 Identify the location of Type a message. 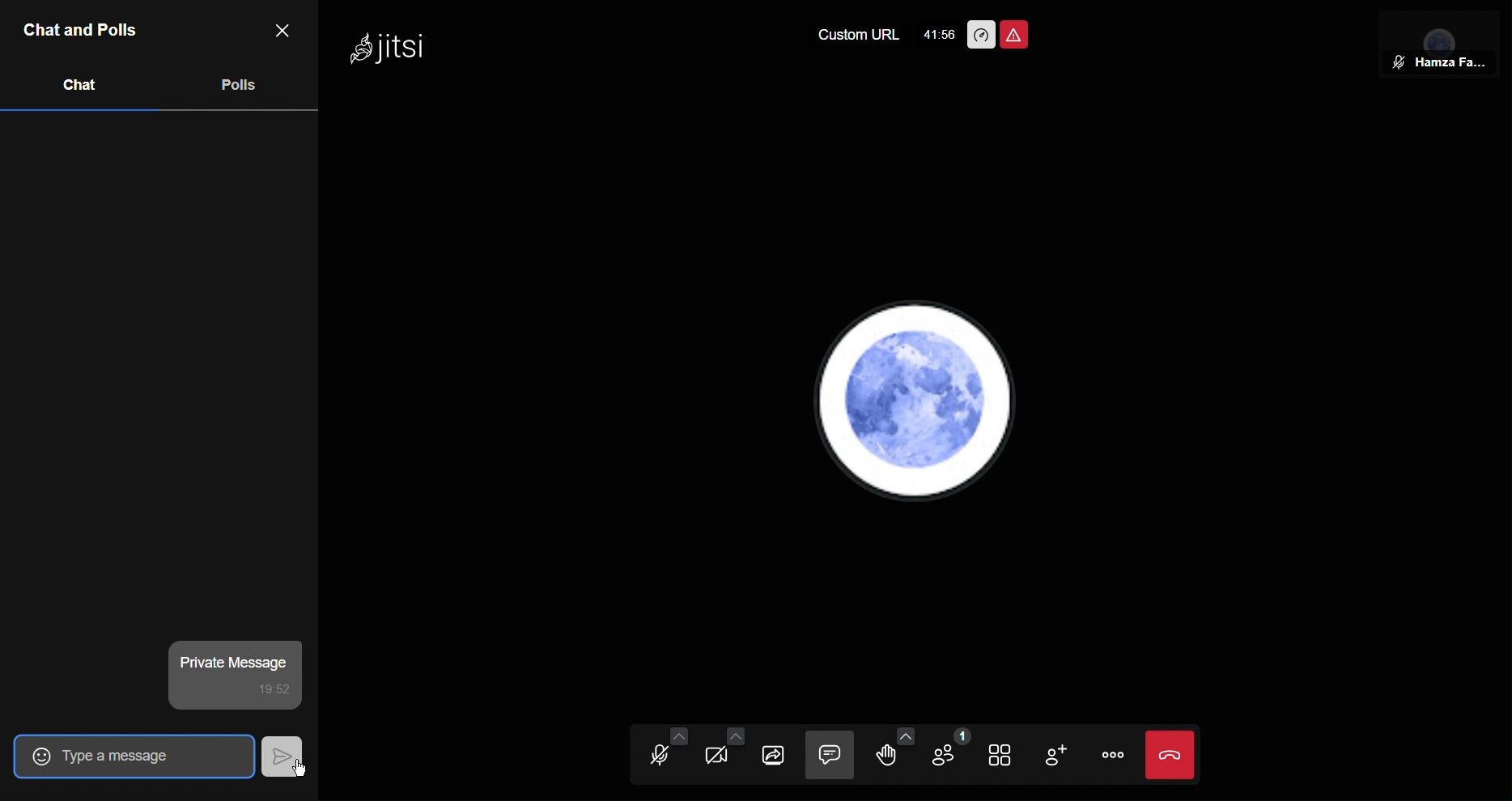
(137, 756).